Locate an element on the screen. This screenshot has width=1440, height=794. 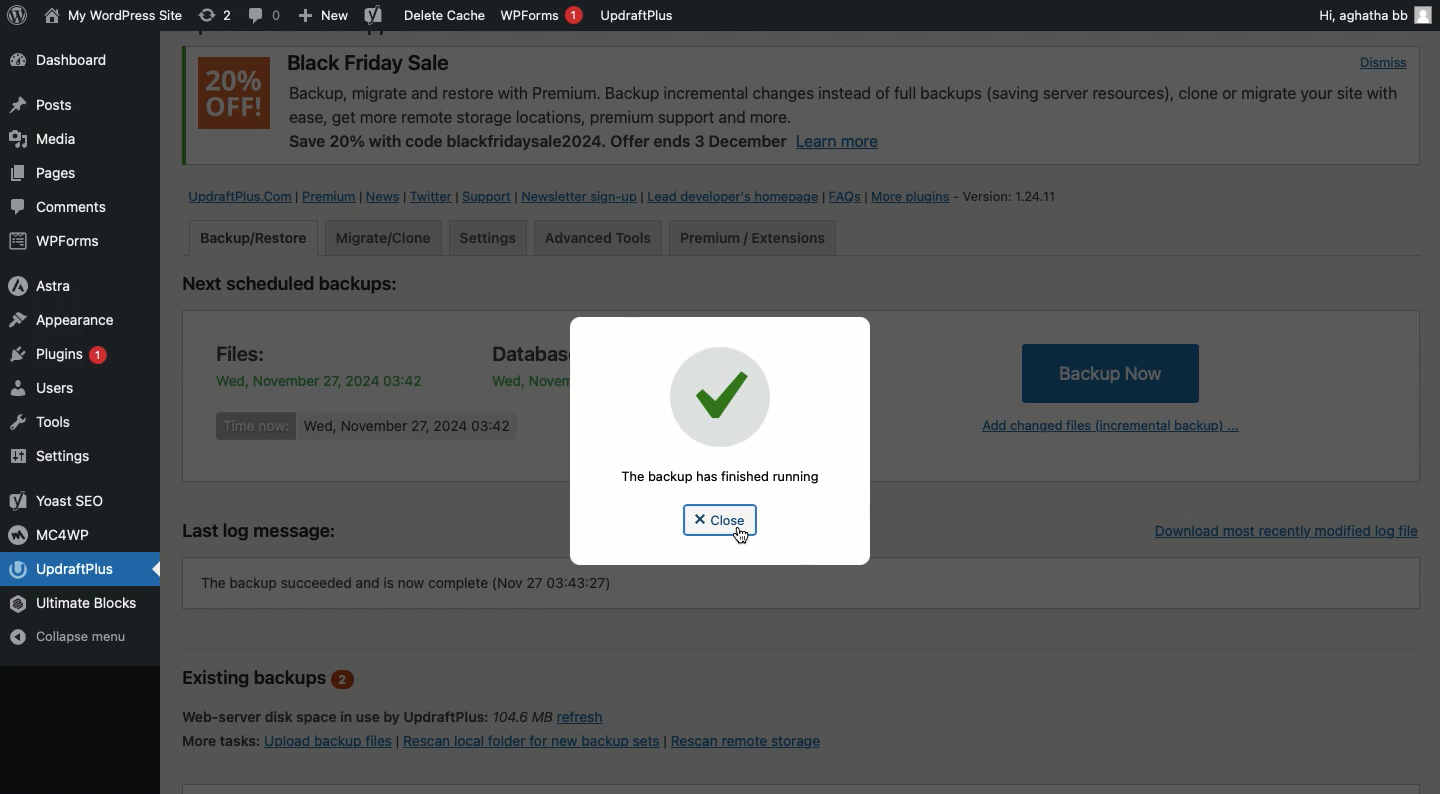
Media is located at coordinates (46, 138).